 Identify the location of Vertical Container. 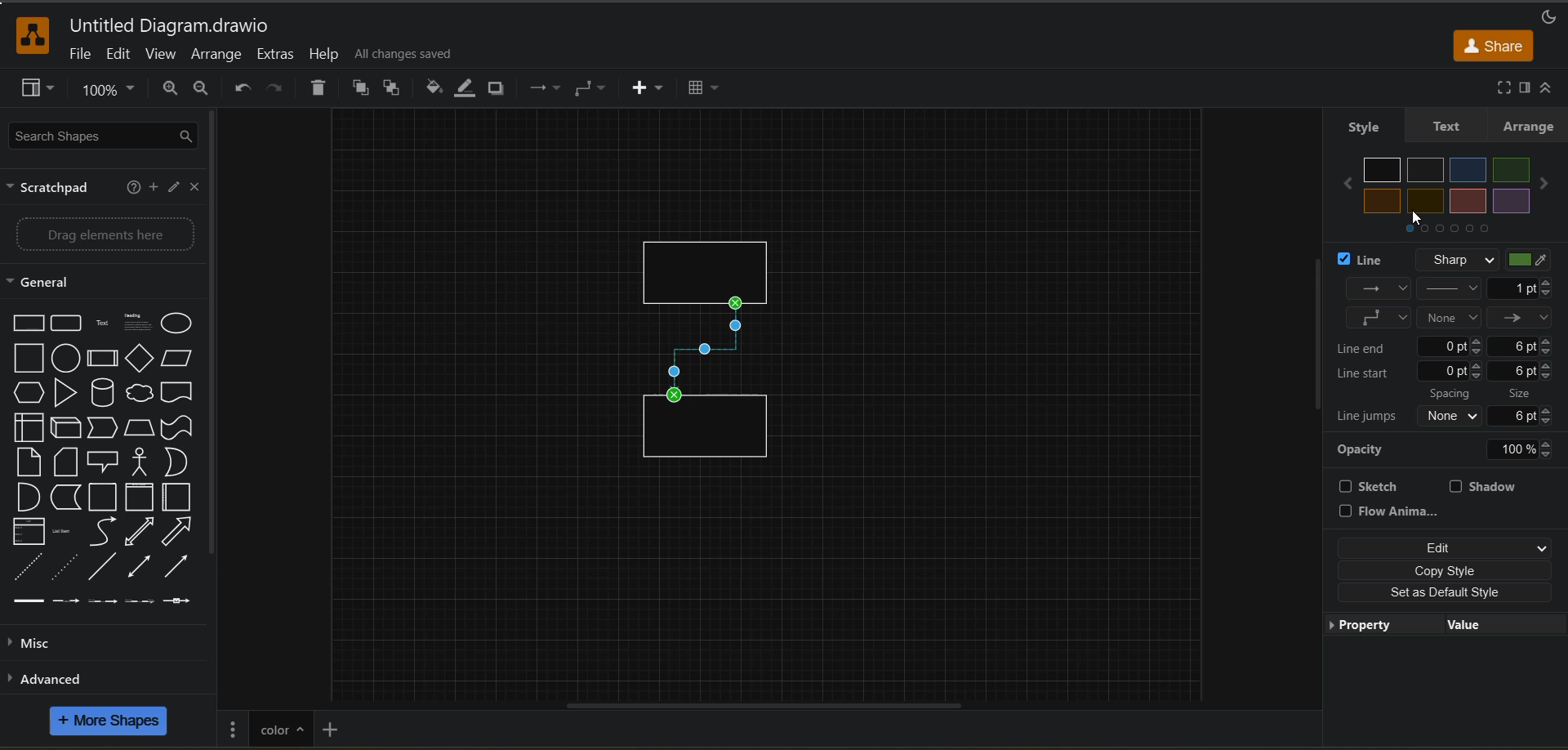
(142, 498).